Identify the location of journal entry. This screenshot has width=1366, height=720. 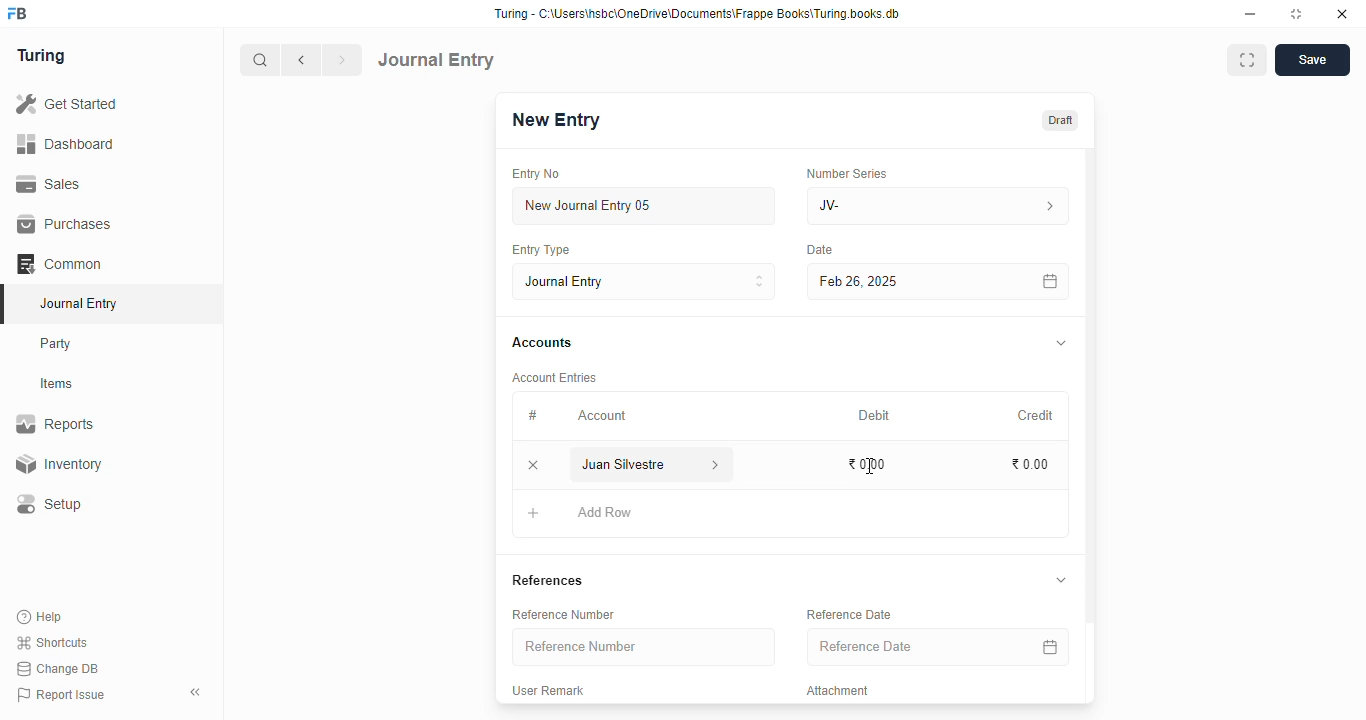
(437, 59).